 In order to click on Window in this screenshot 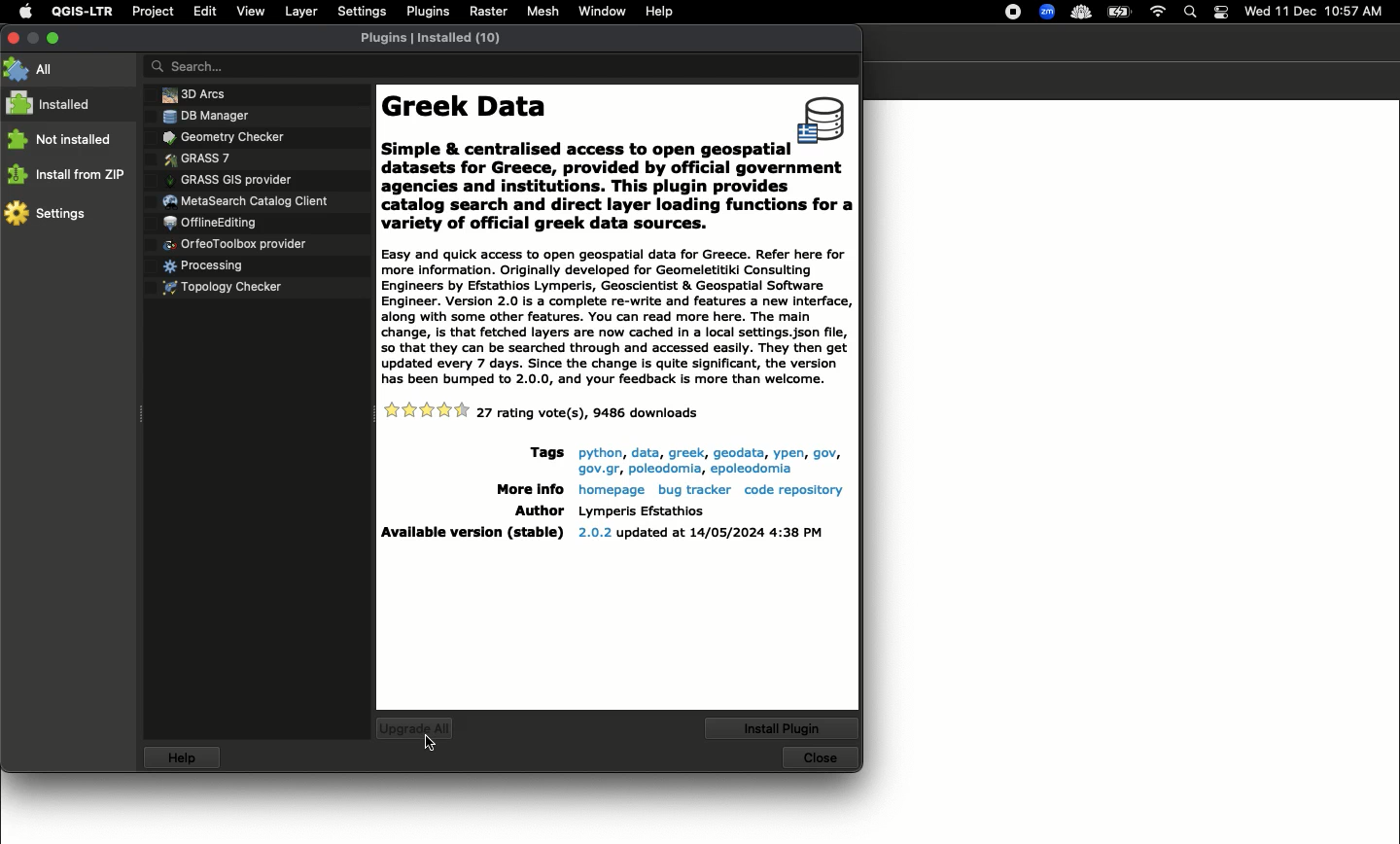, I will do `click(601, 11)`.